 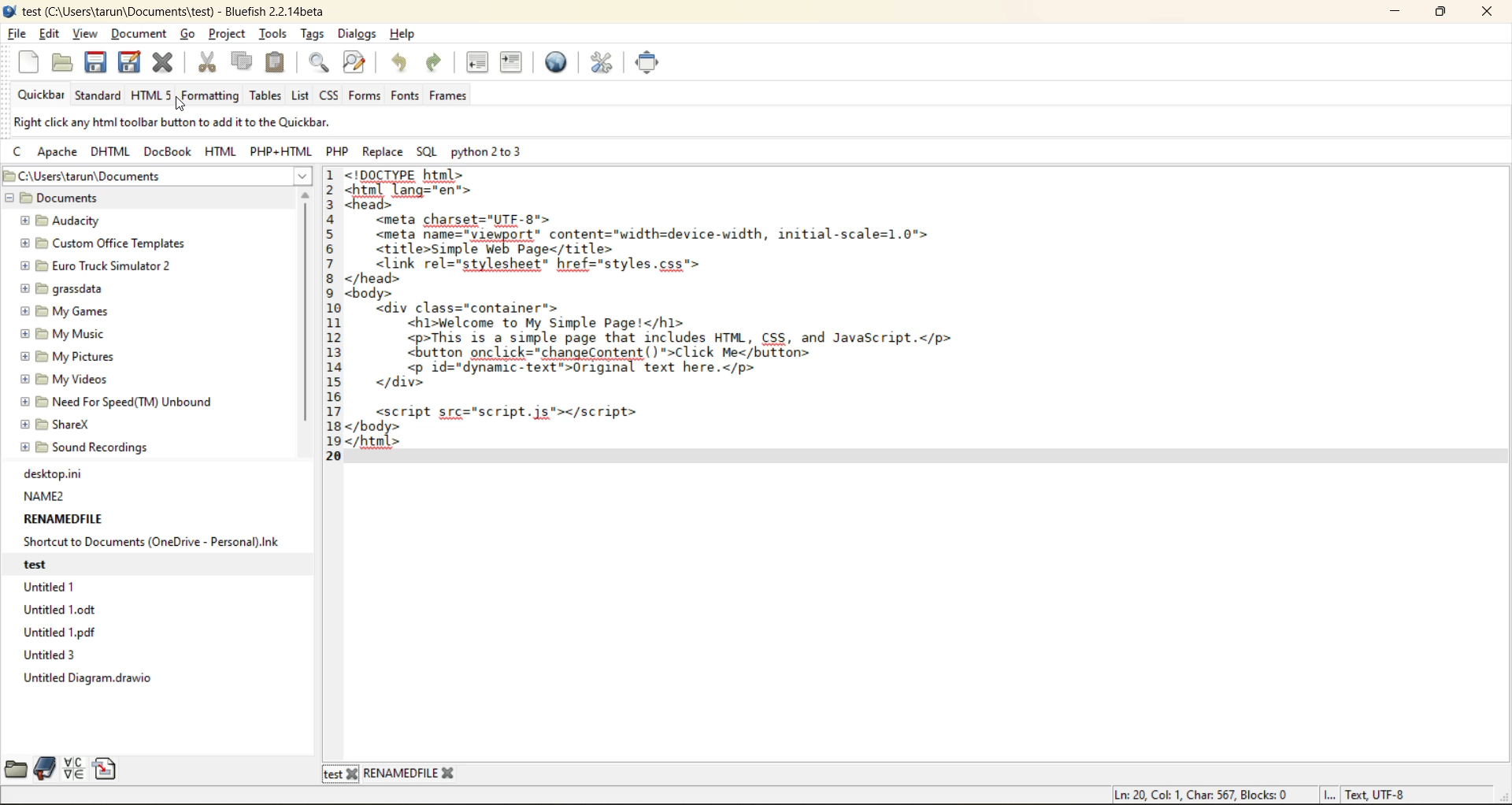 I want to click on tags, so click(x=314, y=35).